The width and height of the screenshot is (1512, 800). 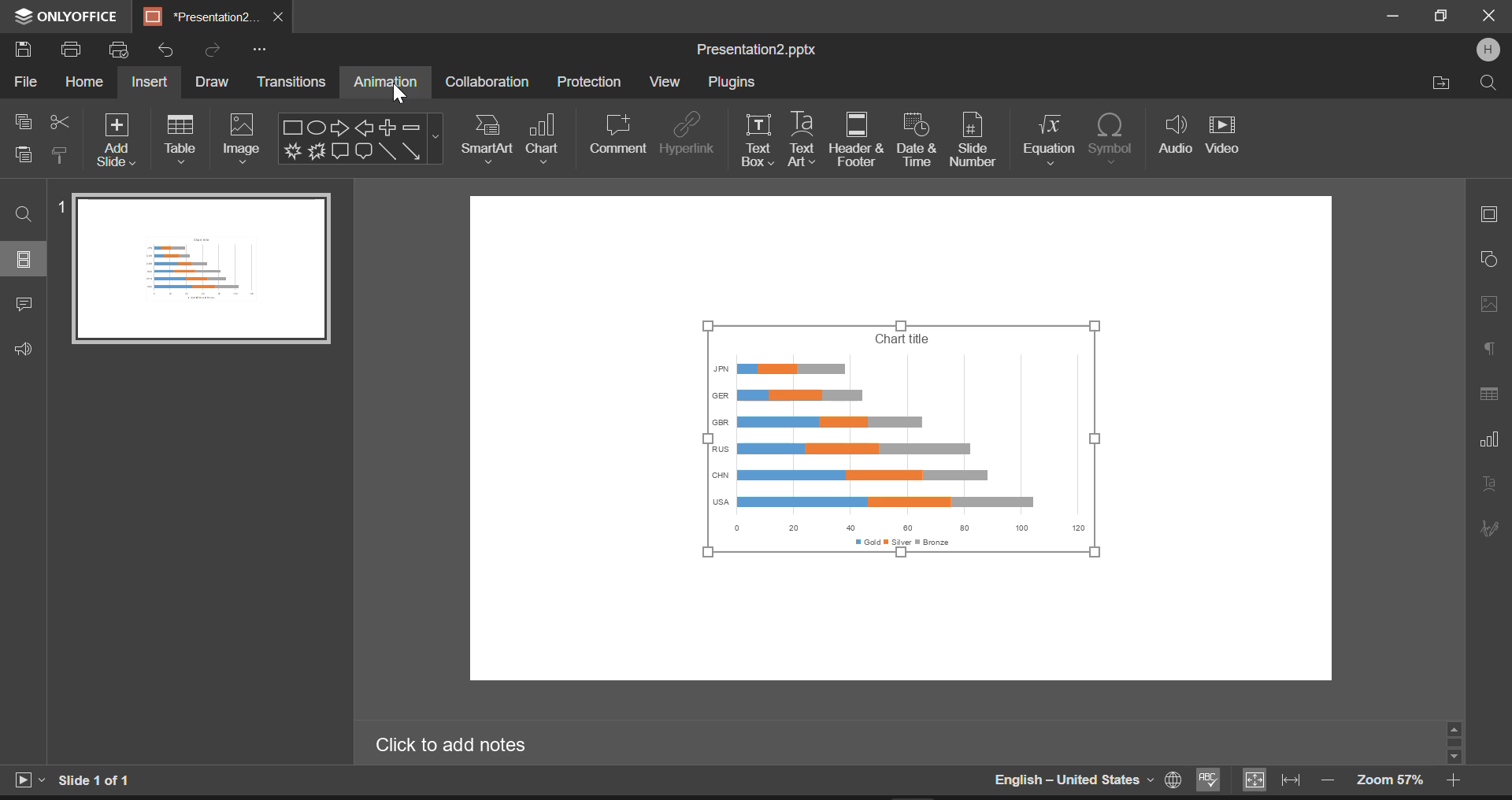 I want to click on Quick print, so click(x=120, y=51).